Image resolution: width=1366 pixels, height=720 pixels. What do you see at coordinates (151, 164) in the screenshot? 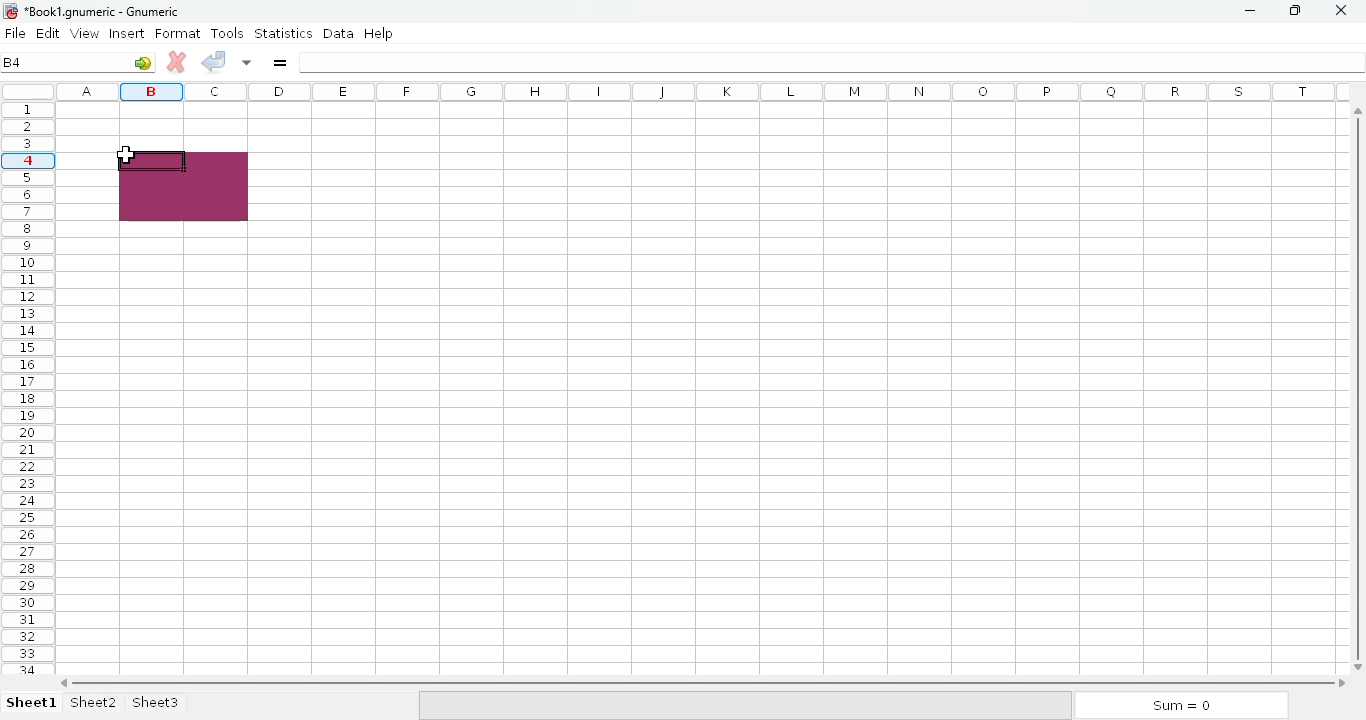
I see `active cell` at bounding box center [151, 164].